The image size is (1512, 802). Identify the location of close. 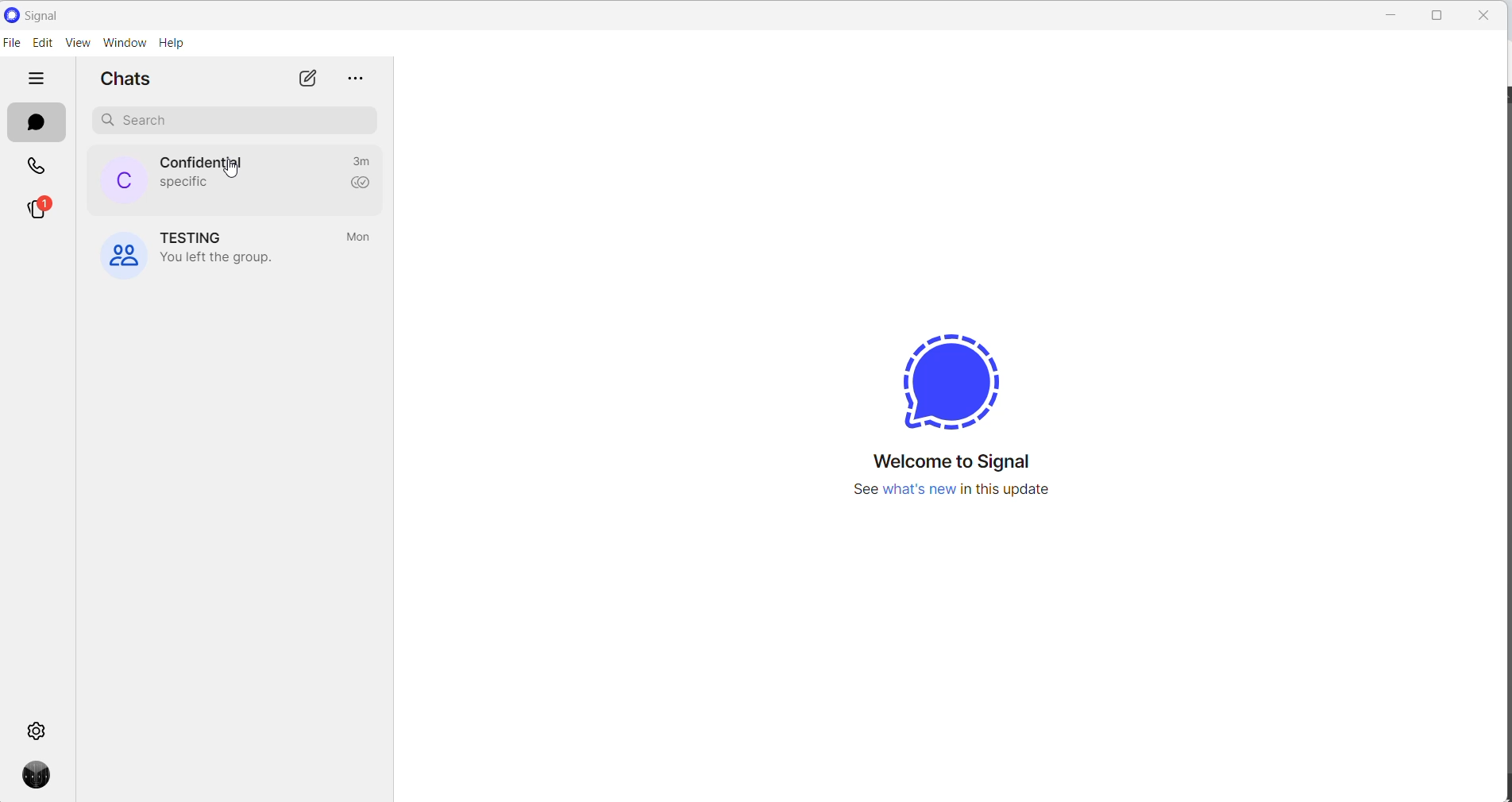
(1393, 15).